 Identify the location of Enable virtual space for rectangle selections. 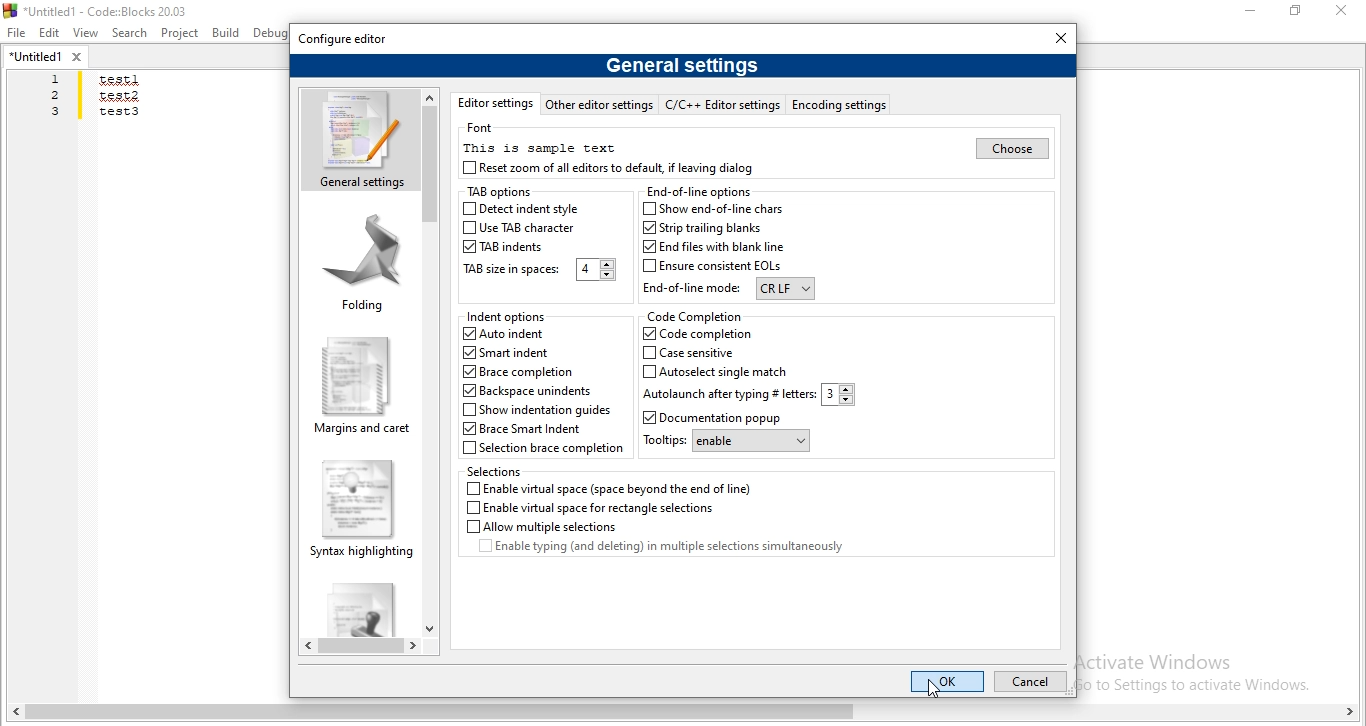
(589, 508).